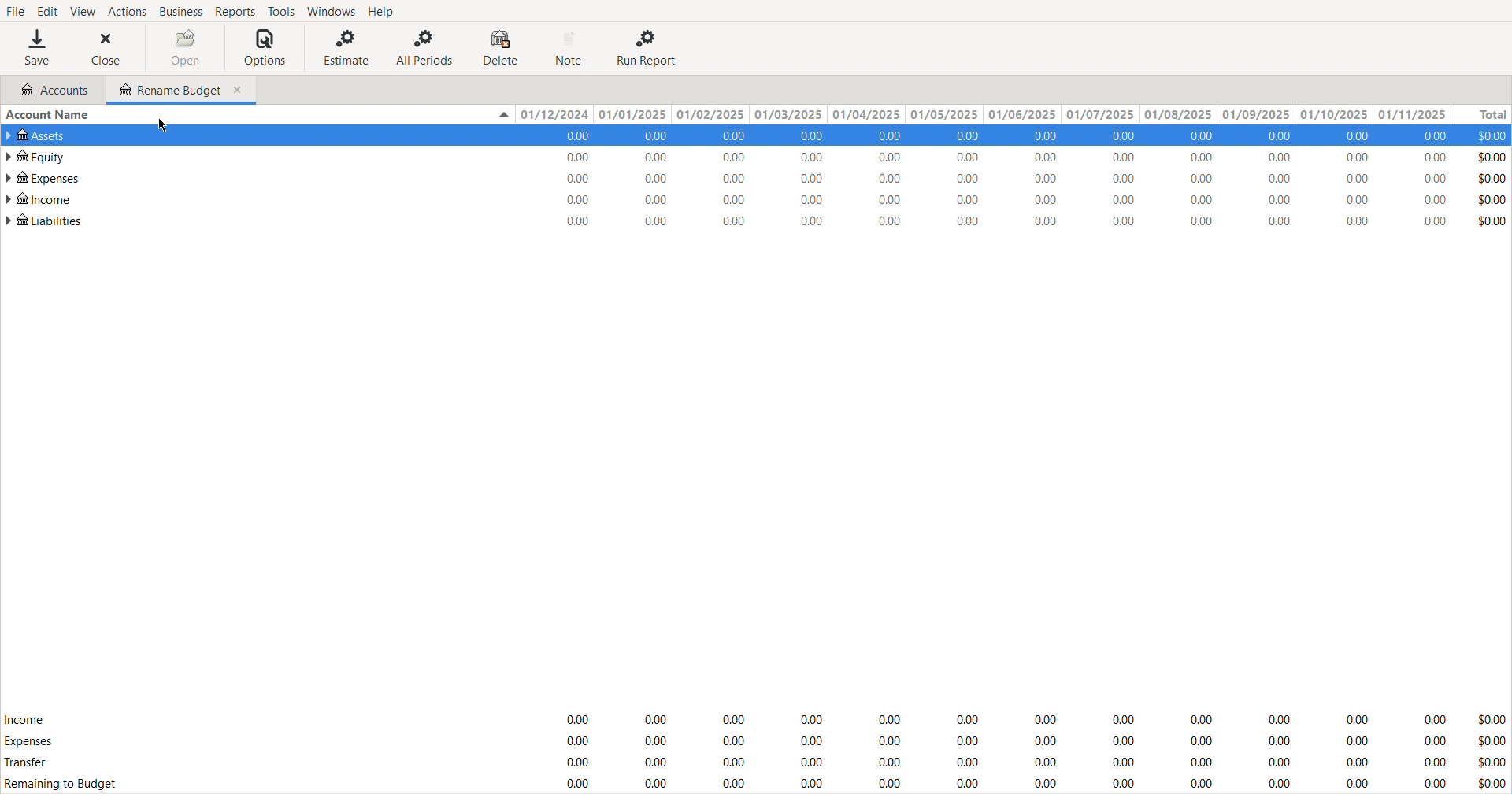 The image size is (1512, 794). I want to click on Total, so click(1480, 115).